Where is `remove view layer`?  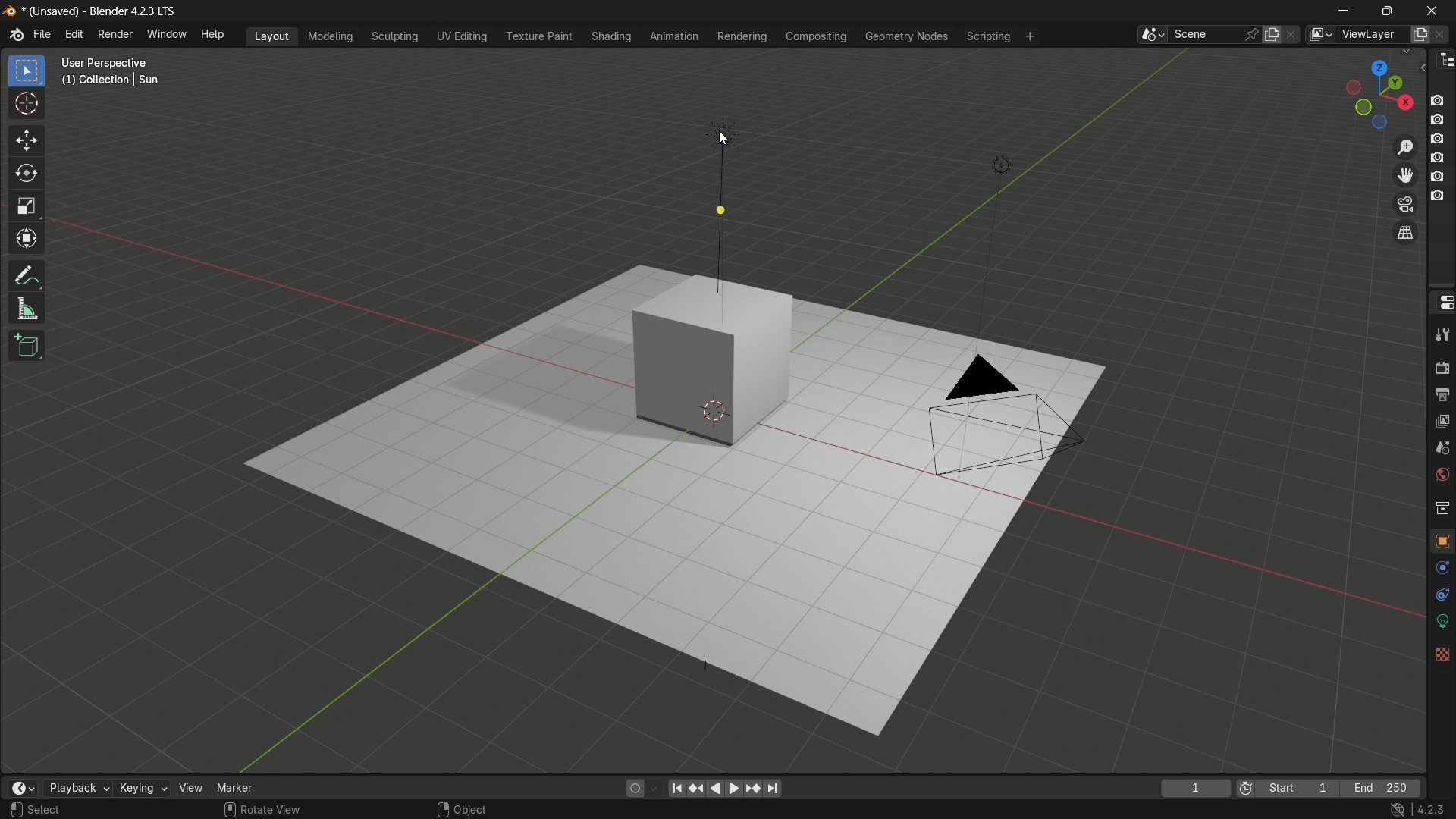
remove view layer is located at coordinates (1444, 34).